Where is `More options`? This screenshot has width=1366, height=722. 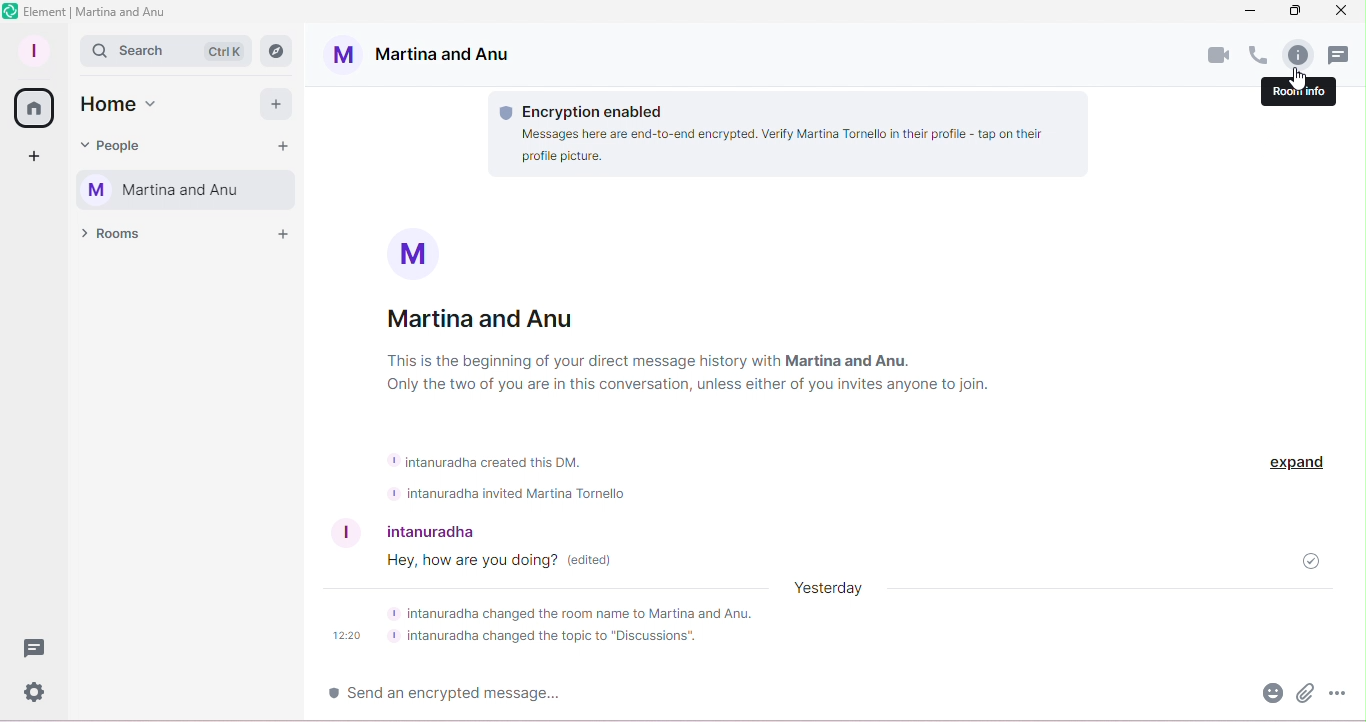 More options is located at coordinates (1342, 694).